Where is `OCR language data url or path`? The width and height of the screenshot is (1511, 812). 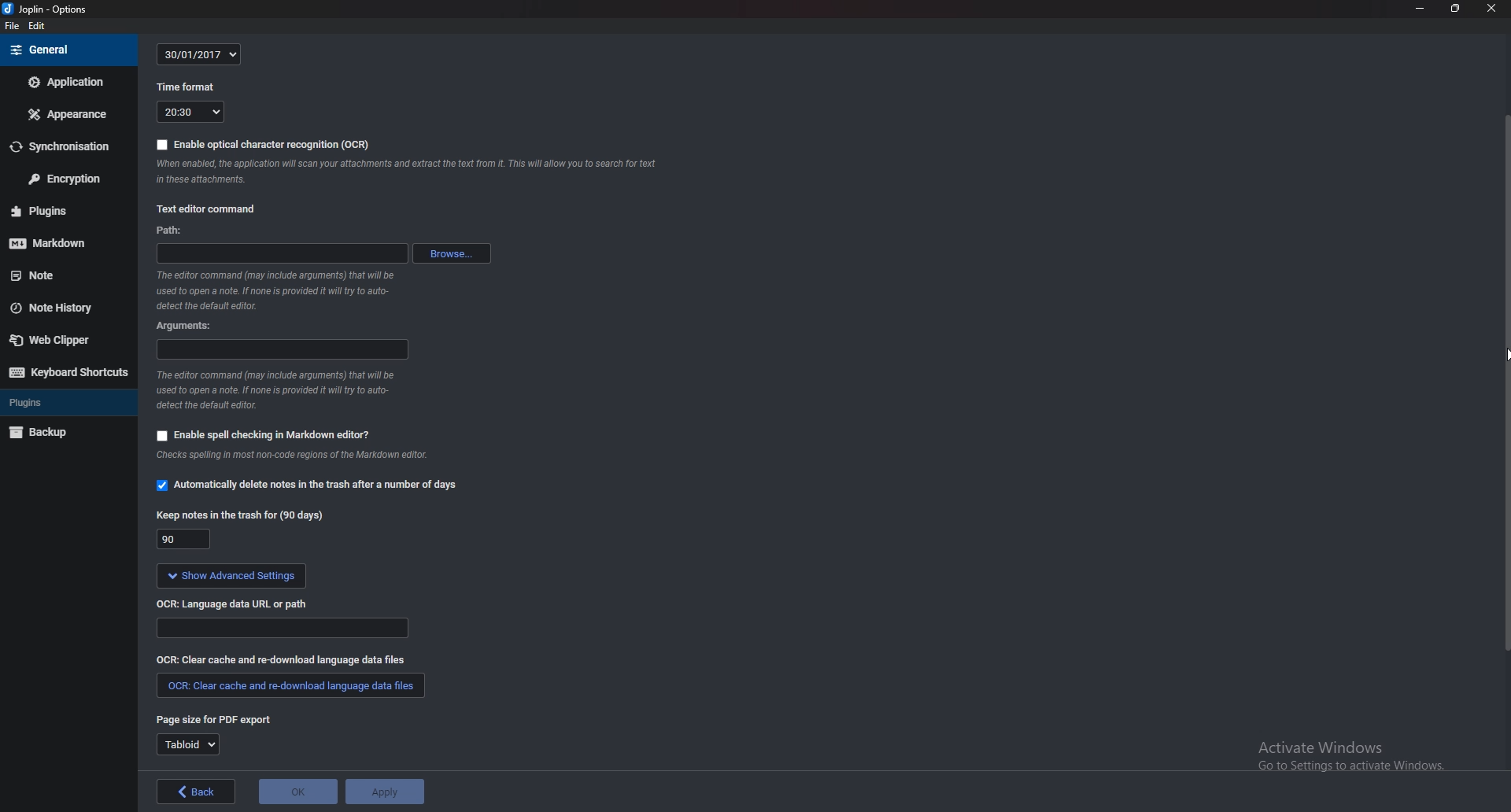
OCR language data url or path is located at coordinates (242, 604).